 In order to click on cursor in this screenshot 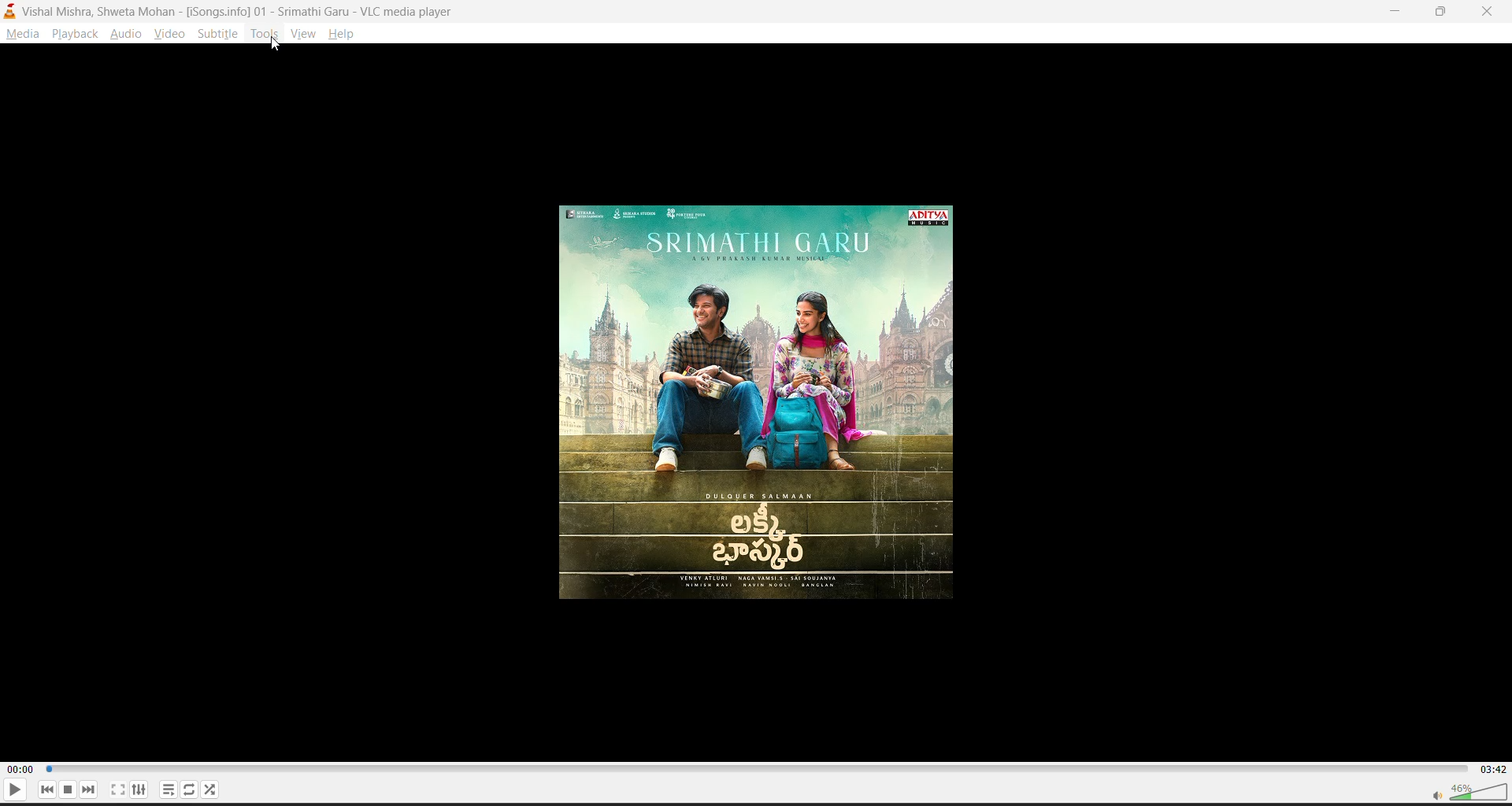, I will do `click(274, 46)`.